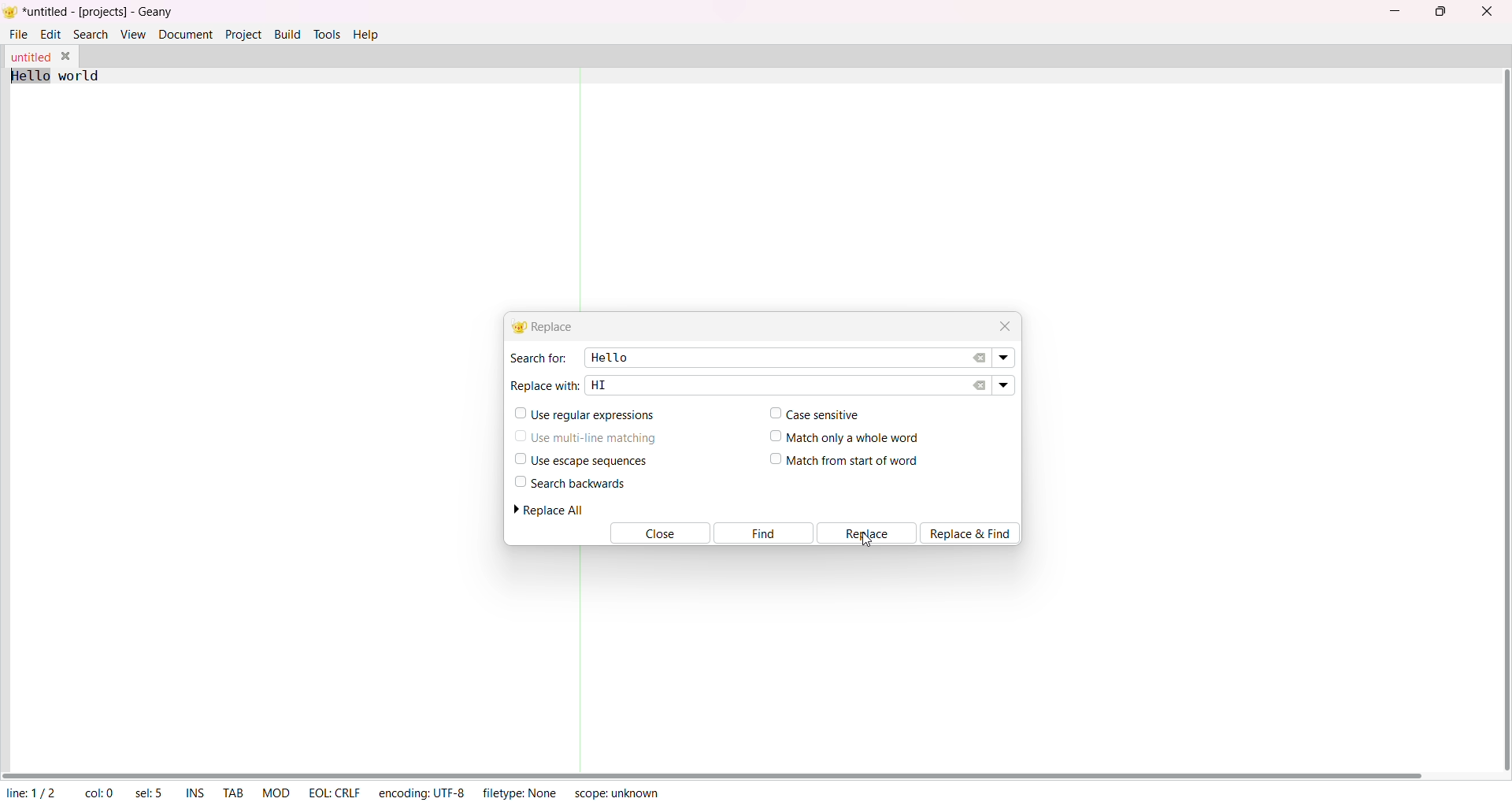 The height and width of the screenshot is (802, 1512). Describe the element at coordinates (847, 436) in the screenshot. I see `match only a whole word` at that location.